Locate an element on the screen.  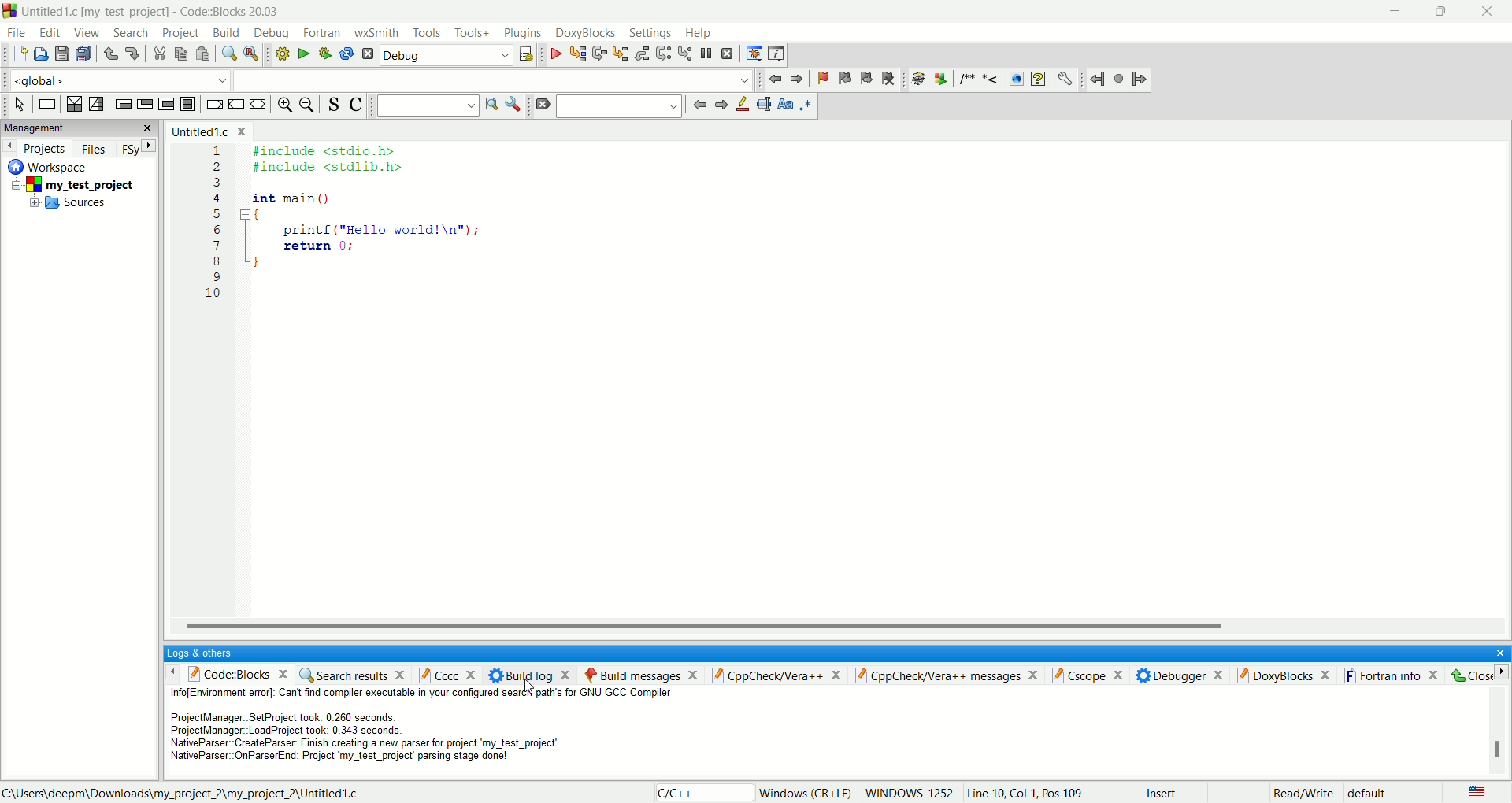
toggle sources is located at coordinates (335, 105).